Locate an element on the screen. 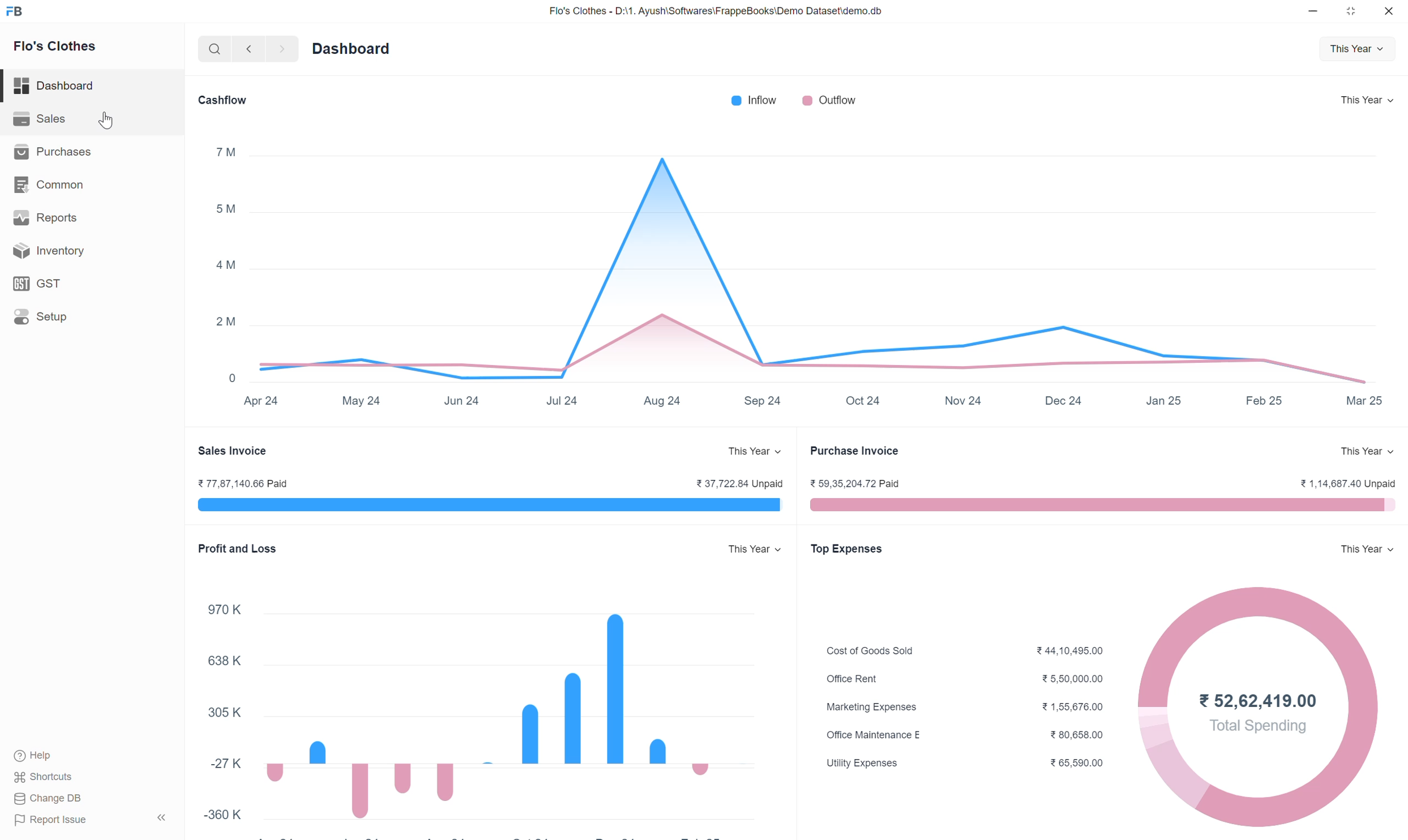 Image resolution: width=1408 pixels, height=840 pixels. sales invoice  is located at coordinates (236, 450).